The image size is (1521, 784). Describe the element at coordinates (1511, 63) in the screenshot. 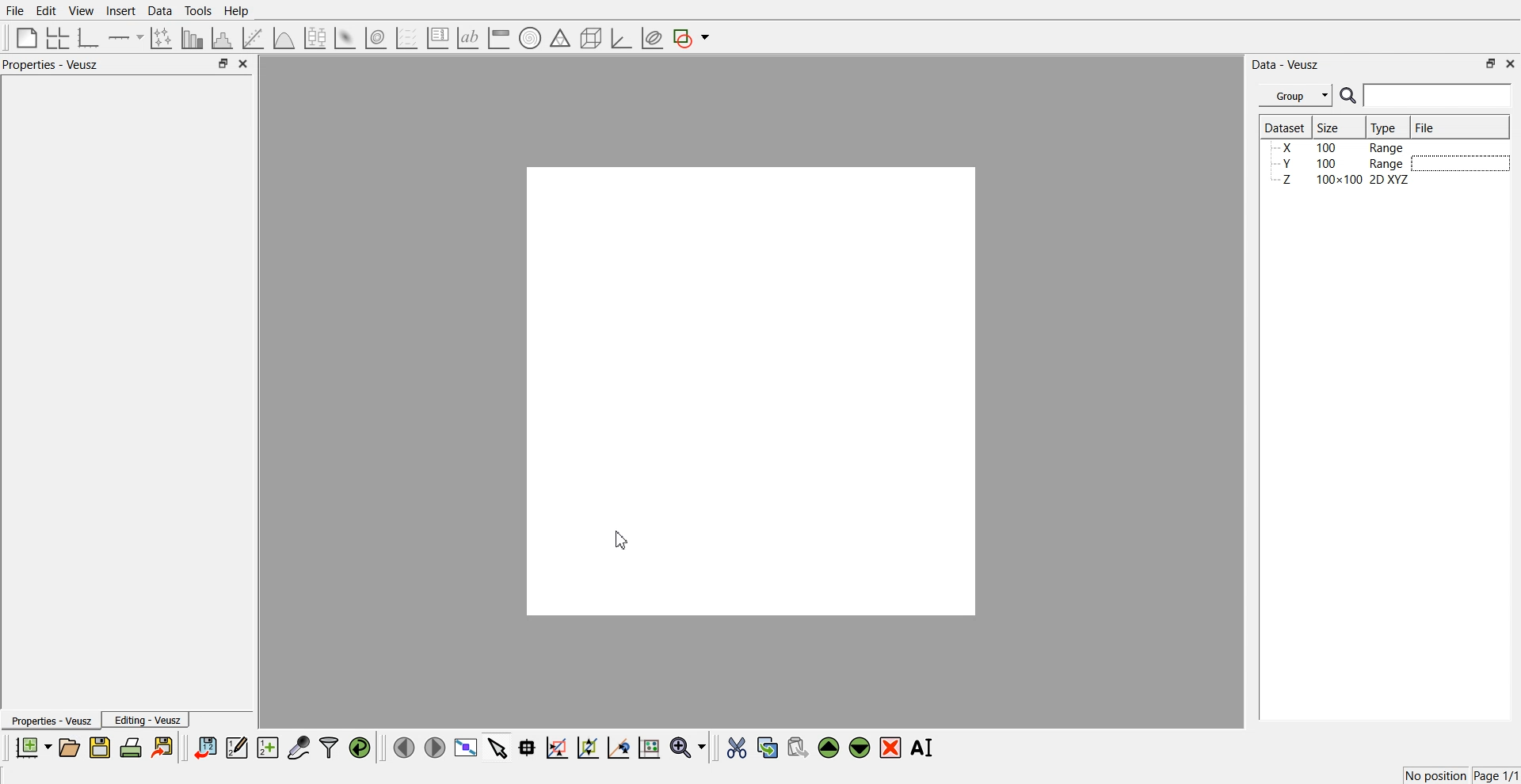

I see `Close` at that location.